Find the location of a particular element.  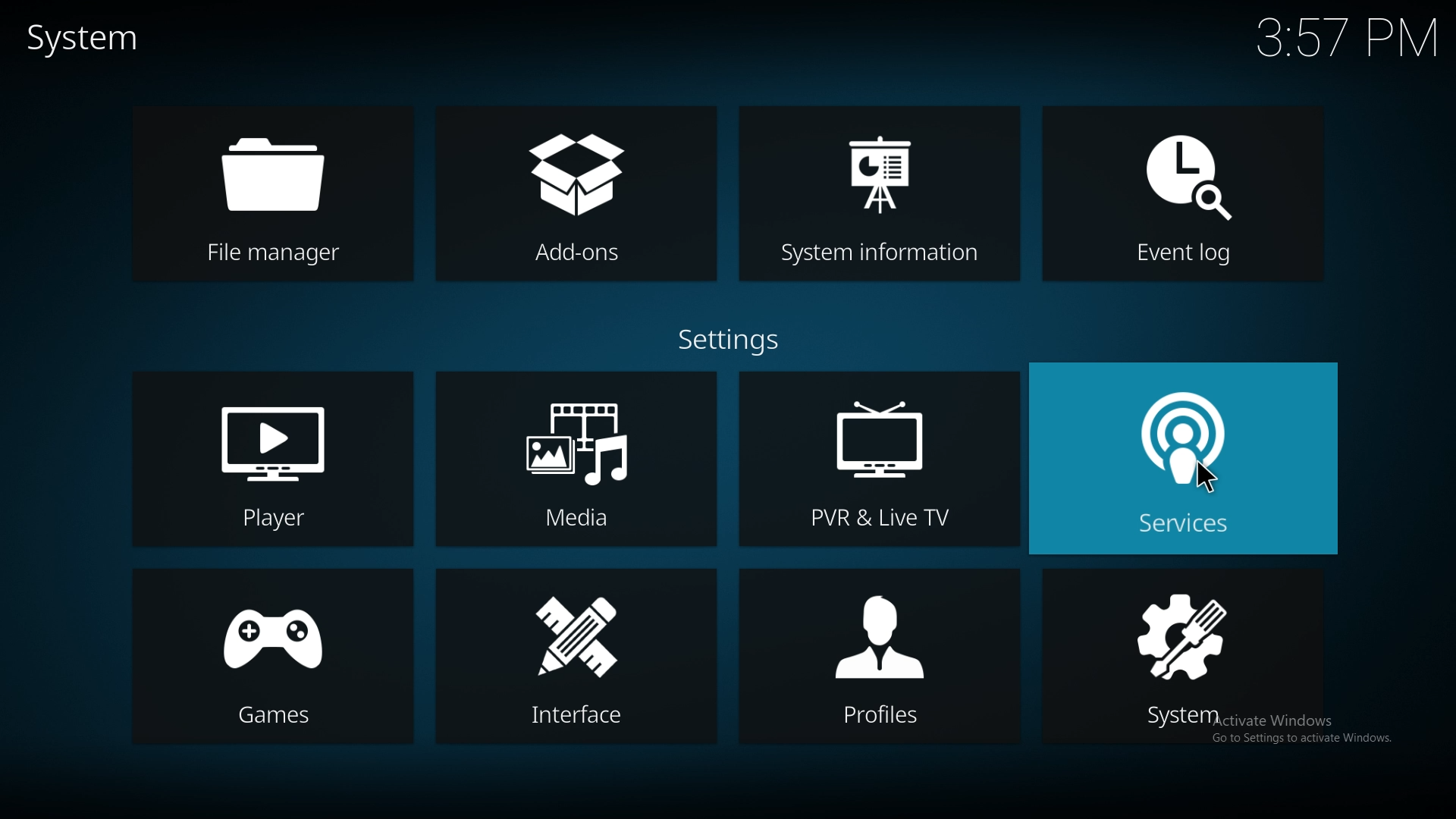

profiles is located at coordinates (878, 656).